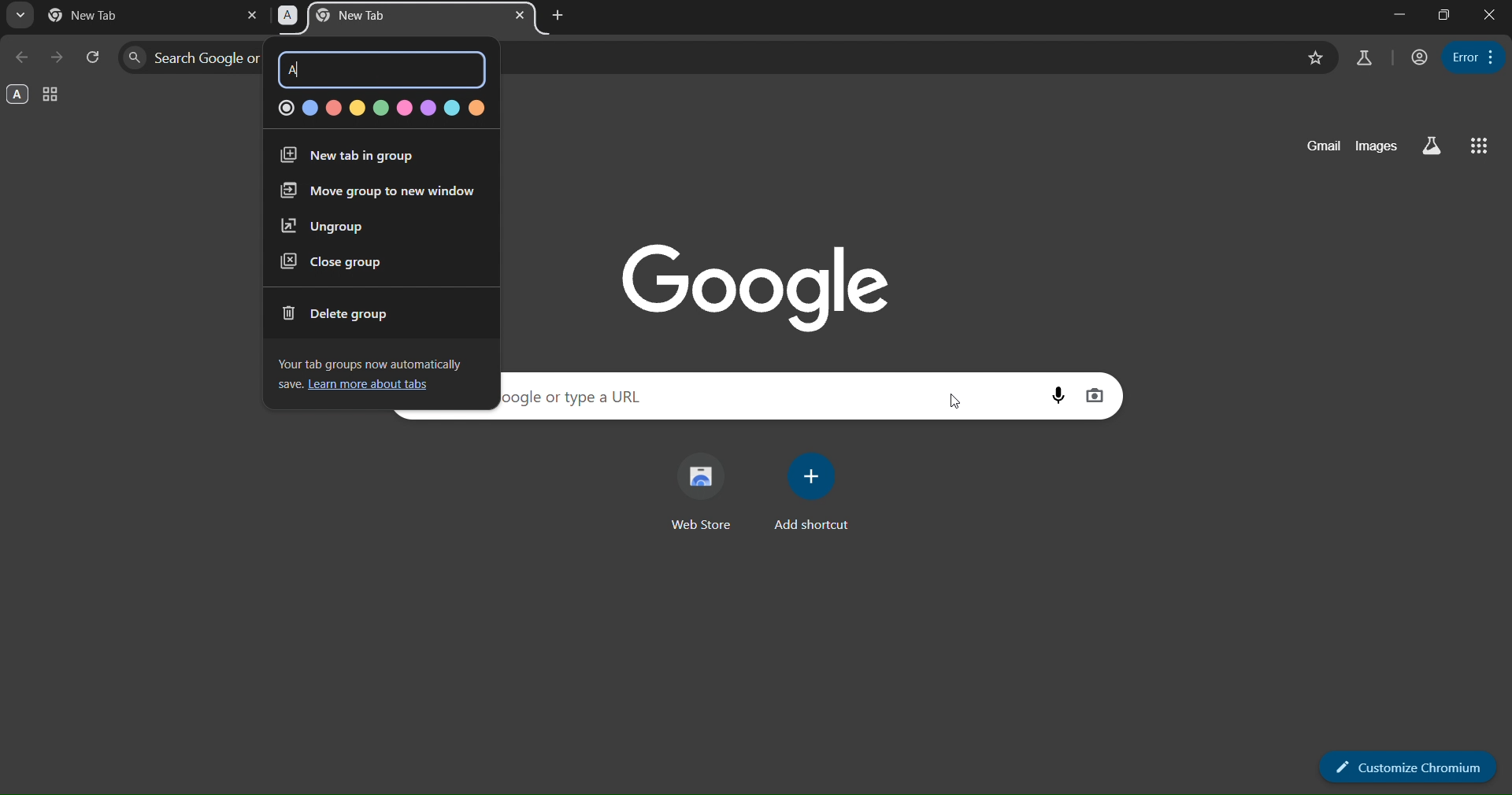 The image size is (1512, 795). I want to click on gmail, so click(1324, 146).